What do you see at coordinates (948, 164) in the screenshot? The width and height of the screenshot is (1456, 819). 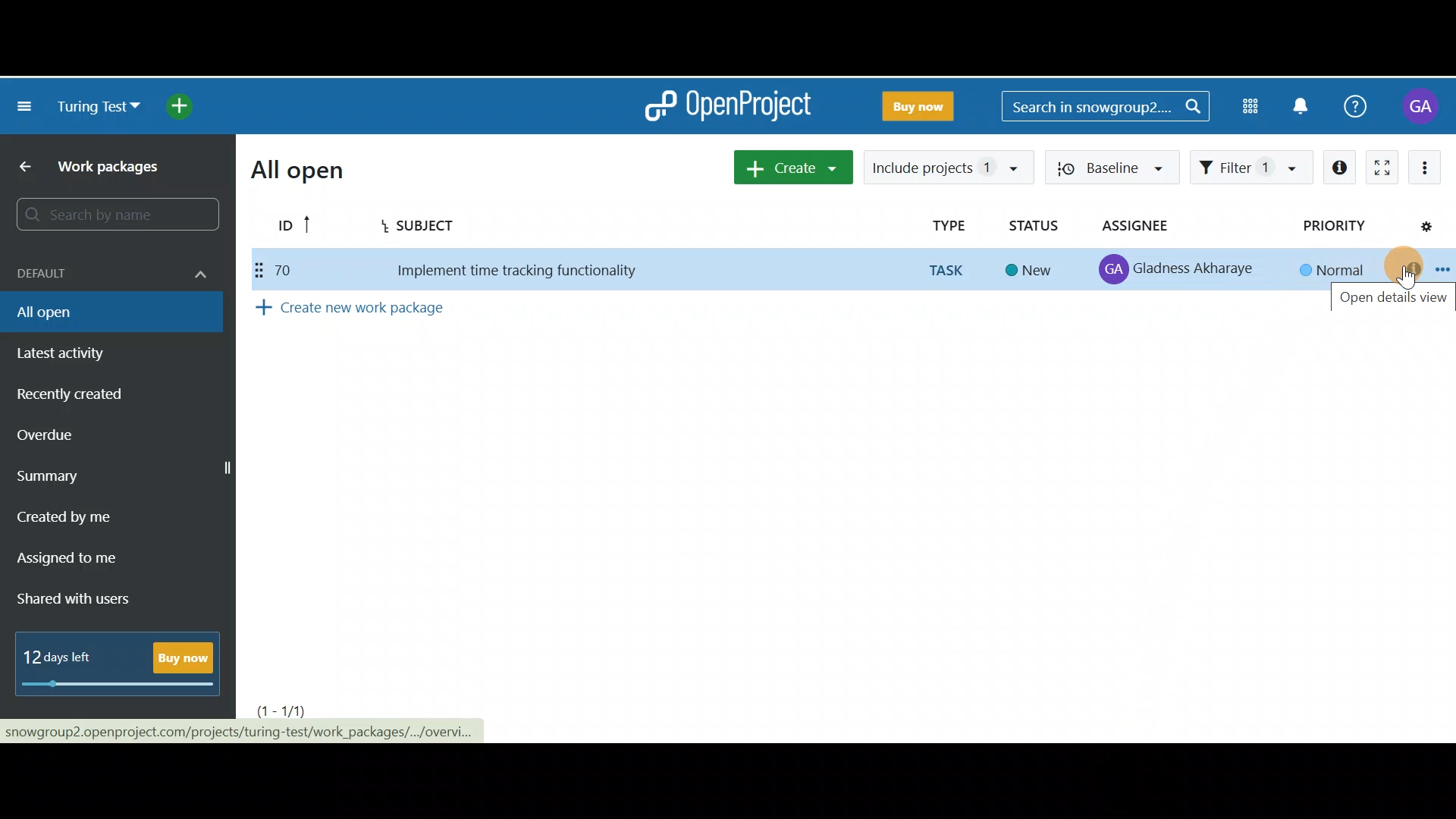 I see `Include projects` at bounding box center [948, 164].